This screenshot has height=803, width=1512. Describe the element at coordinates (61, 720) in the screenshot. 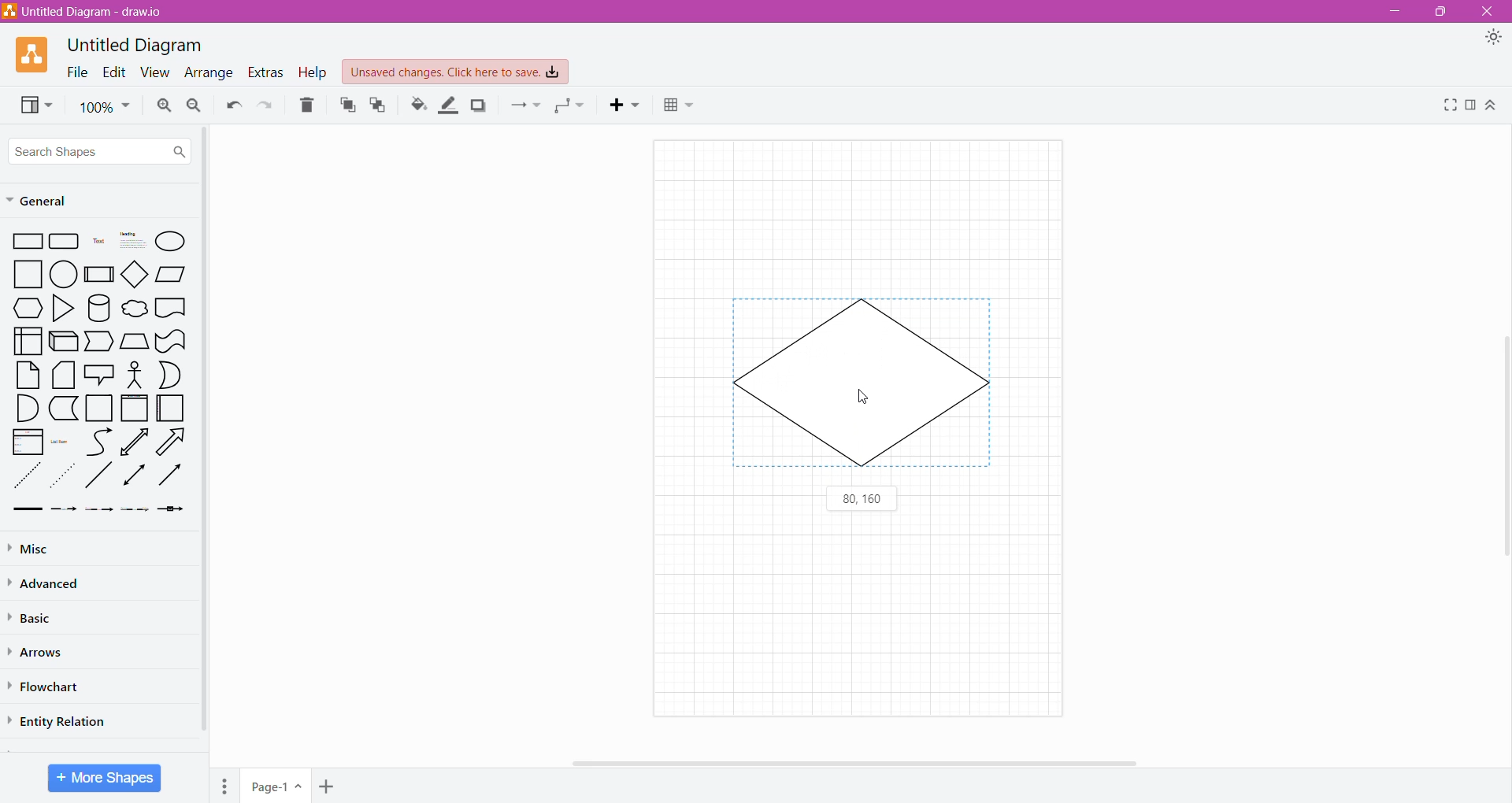

I see `Entity Relation` at that location.